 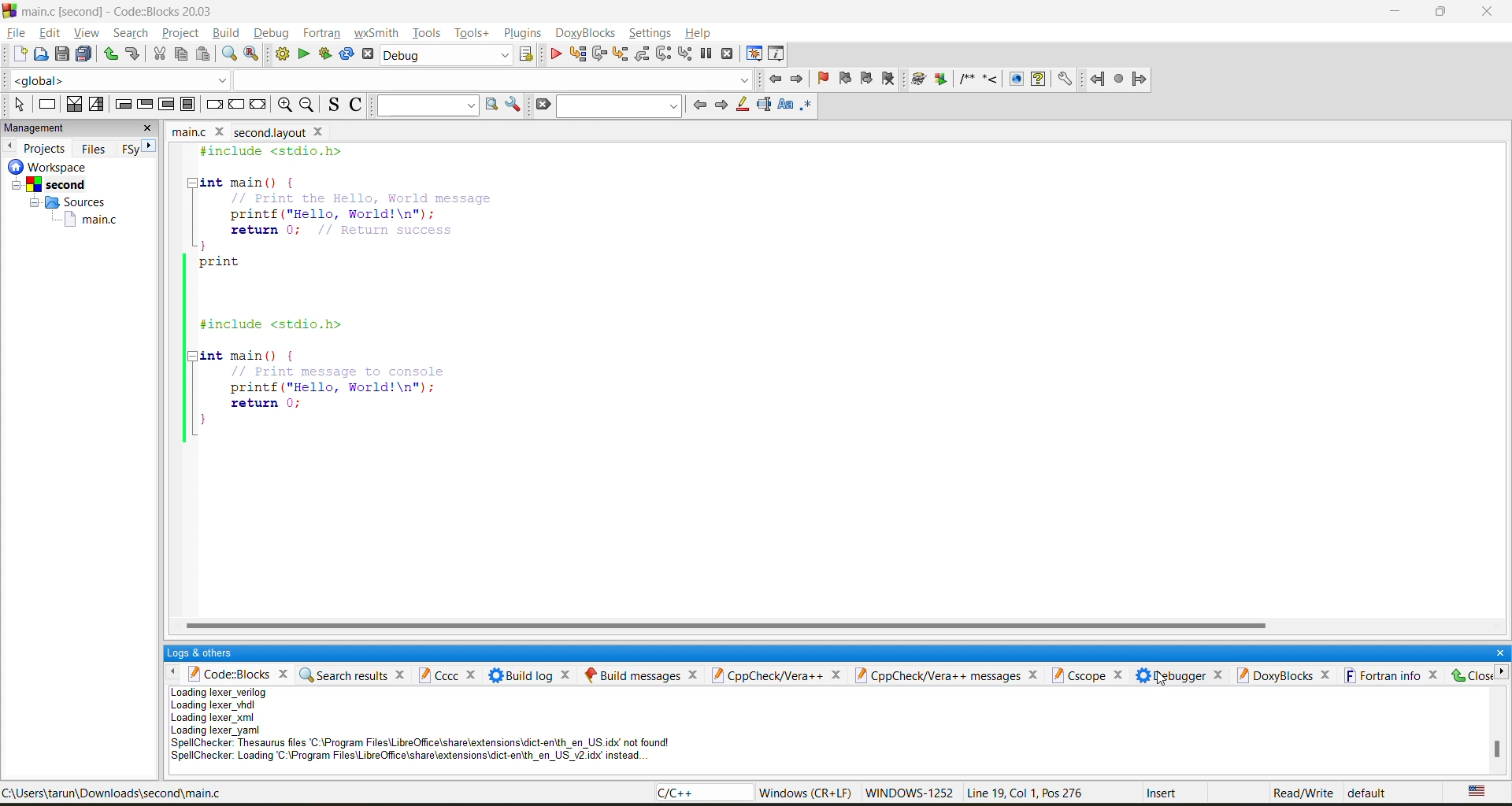 I want to click on doxyblocks, so click(x=995, y=79).